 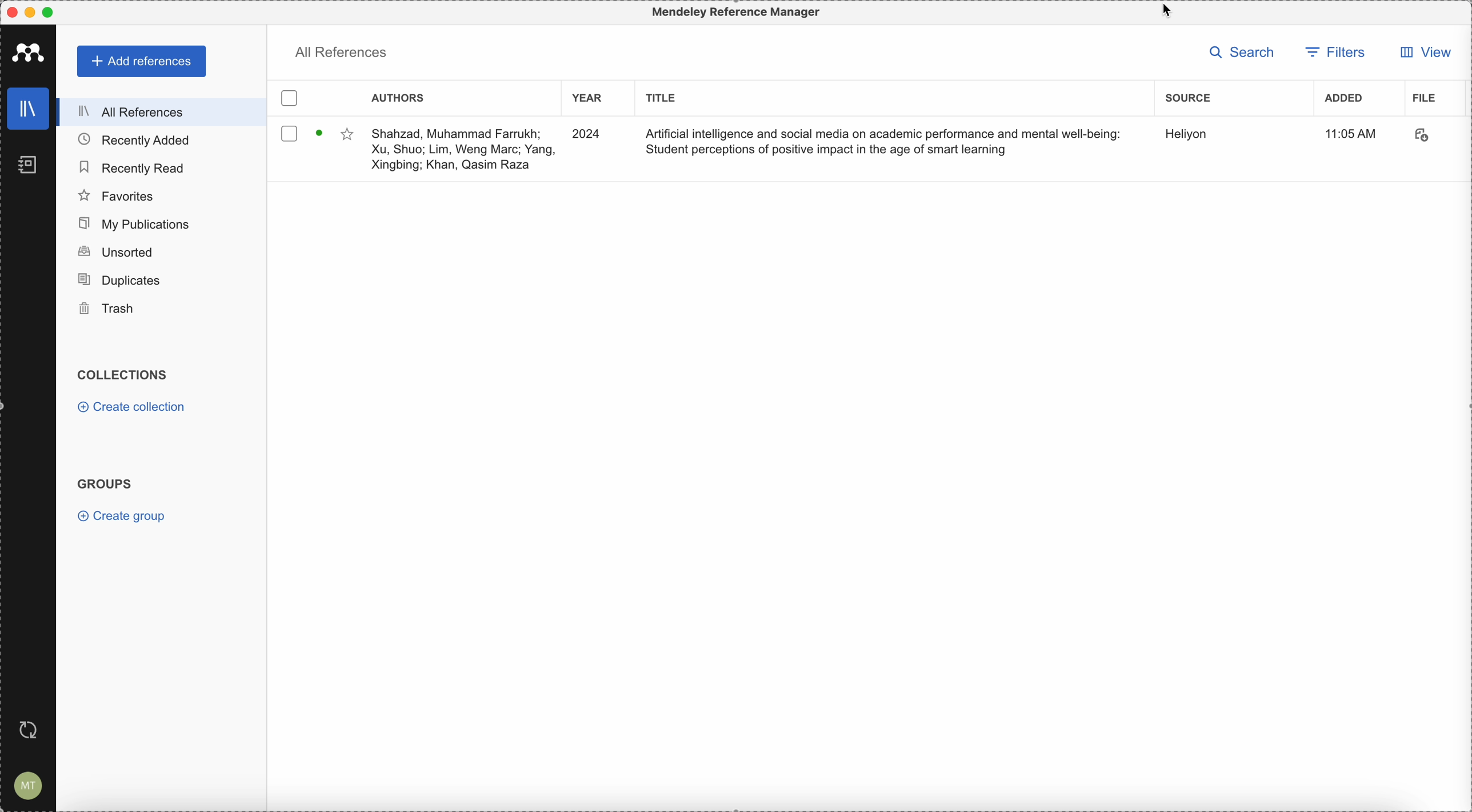 I want to click on file, so click(x=1426, y=96).